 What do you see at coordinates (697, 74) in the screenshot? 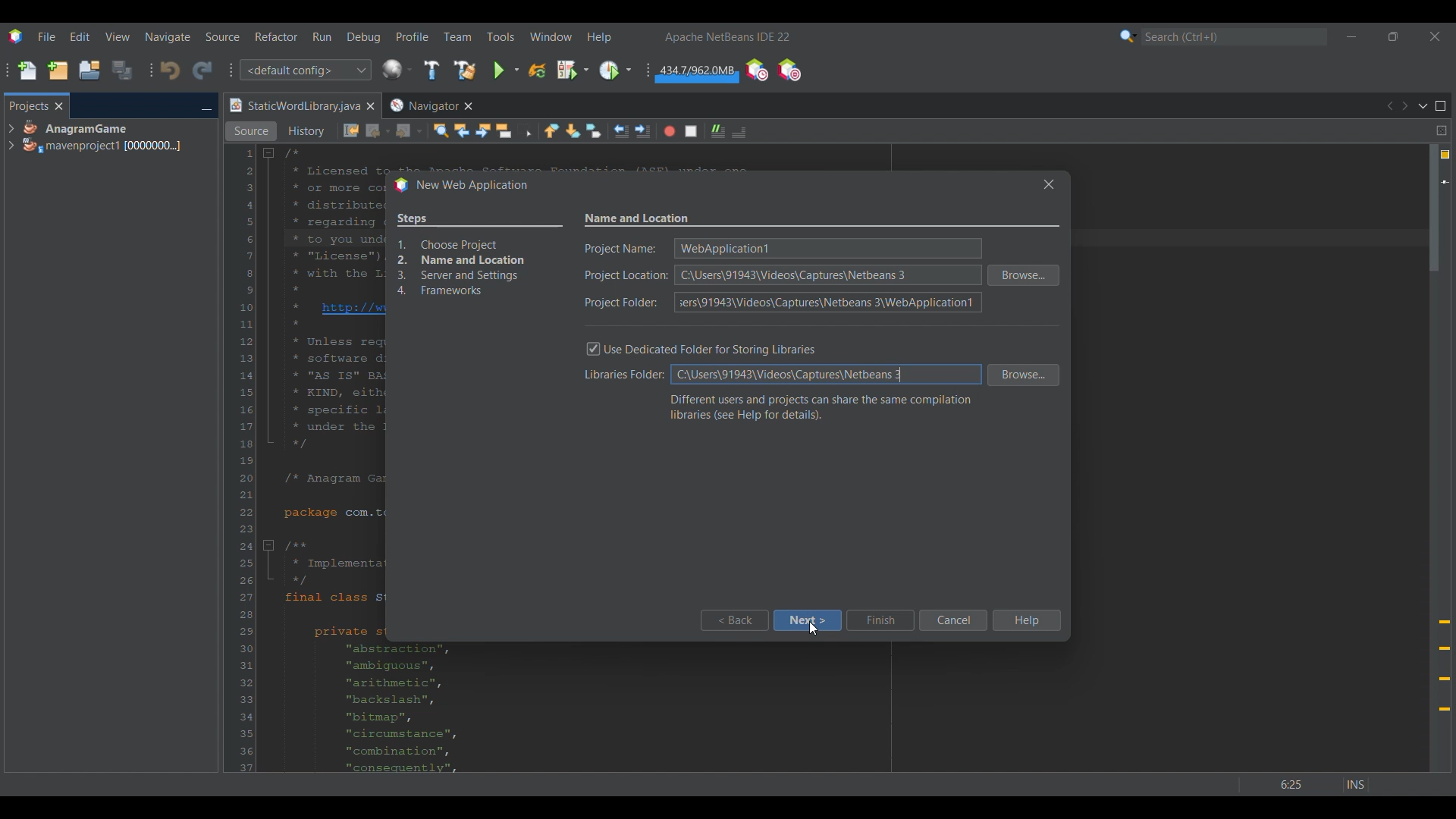
I see `Garbage collection changed` at bounding box center [697, 74].